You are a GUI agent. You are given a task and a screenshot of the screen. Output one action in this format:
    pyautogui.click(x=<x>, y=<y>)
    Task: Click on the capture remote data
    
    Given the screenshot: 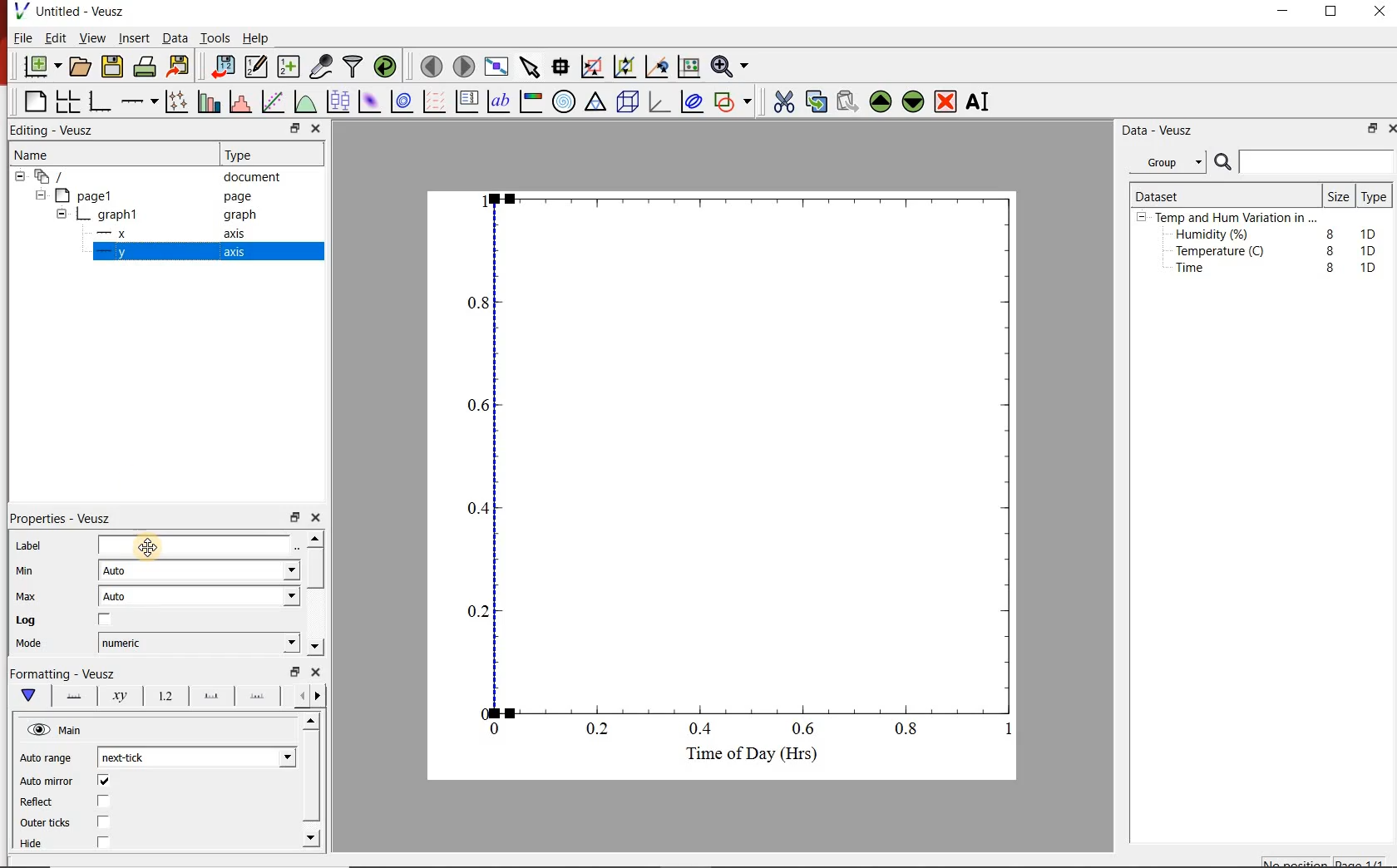 What is the action you would take?
    pyautogui.click(x=320, y=65)
    